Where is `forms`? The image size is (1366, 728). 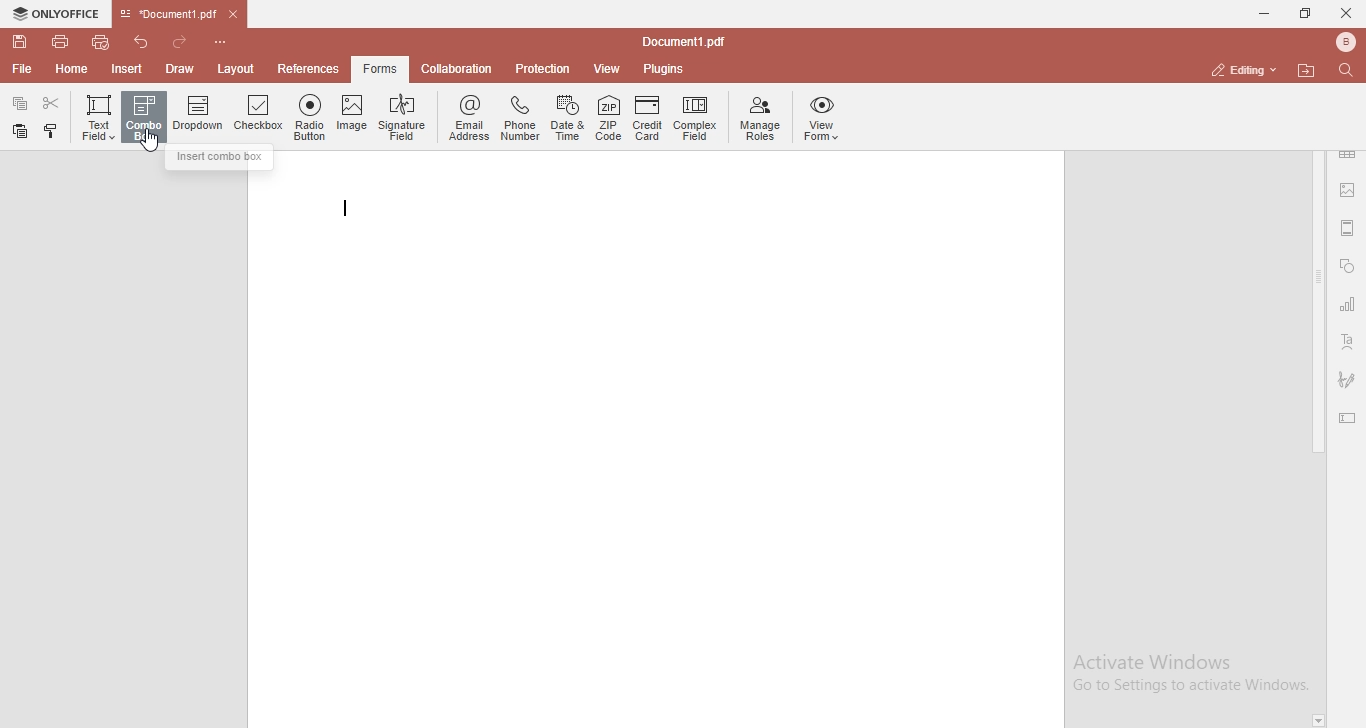
forms is located at coordinates (380, 69).